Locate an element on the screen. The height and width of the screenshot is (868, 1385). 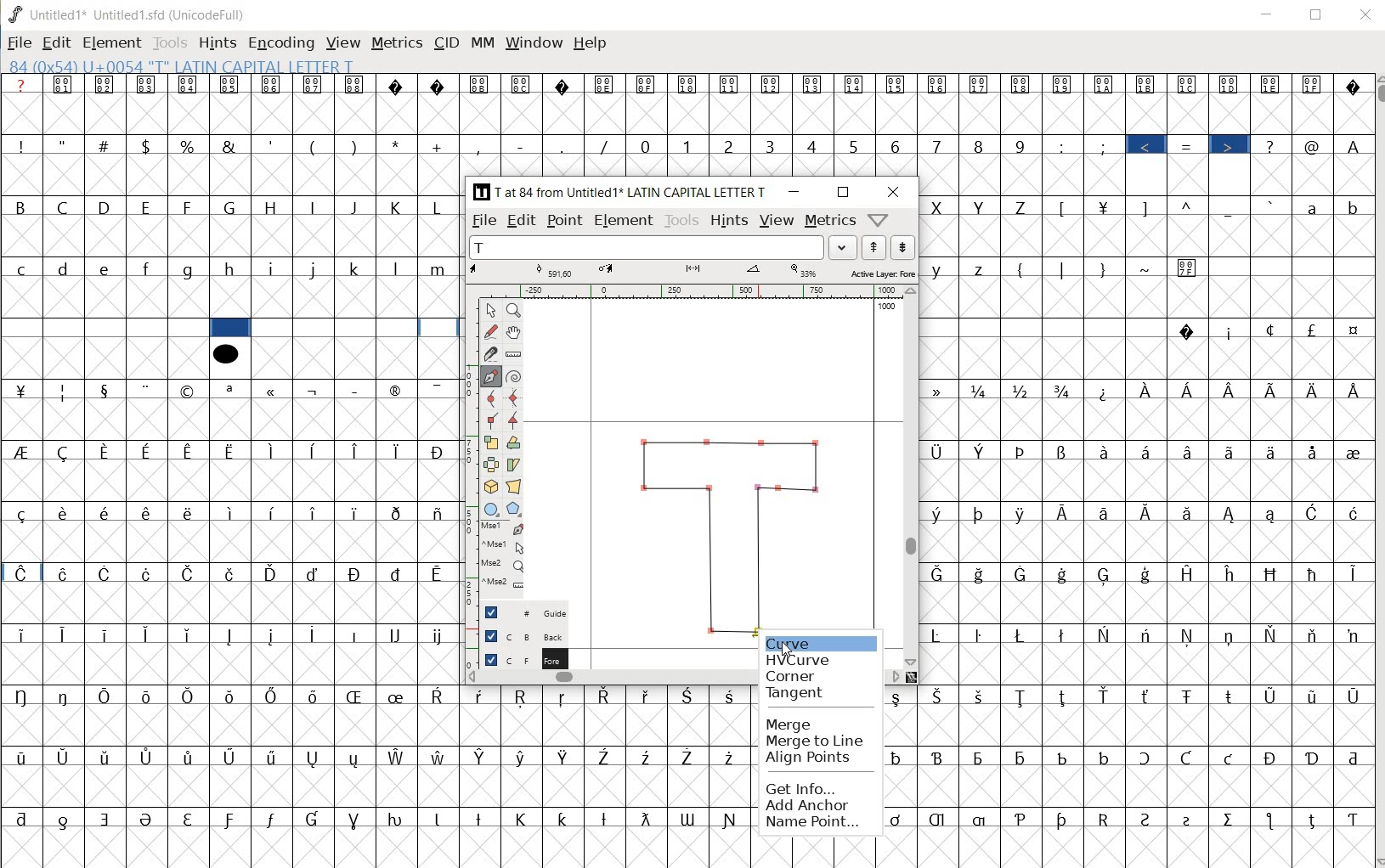
E is located at coordinates (149, 208).